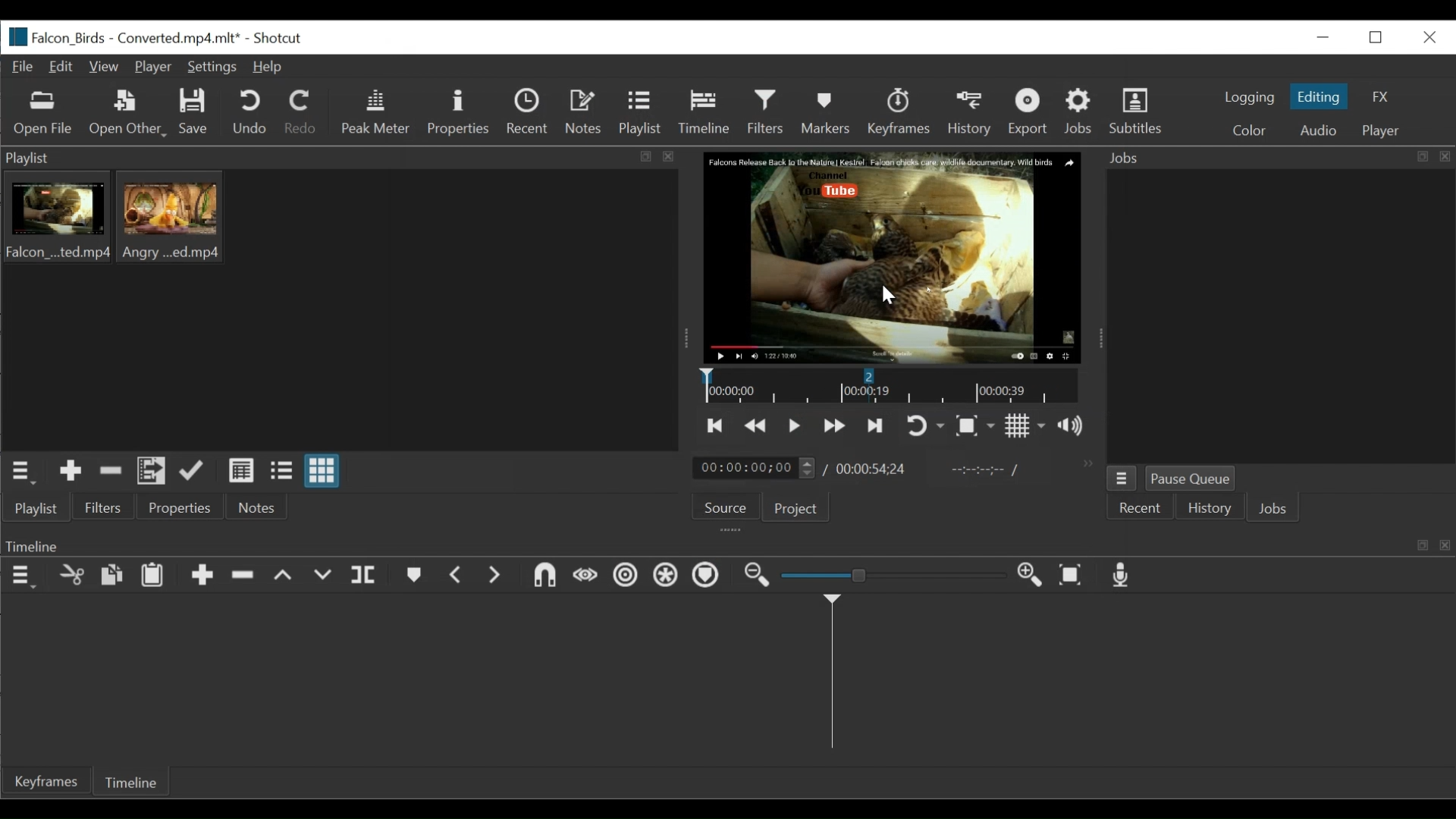 Image resolution: width=1456 pixels, height=819 pixels. Describe the element at coordinates (836, 425) in the screenshot. I see `Play quickly forward` at that location.